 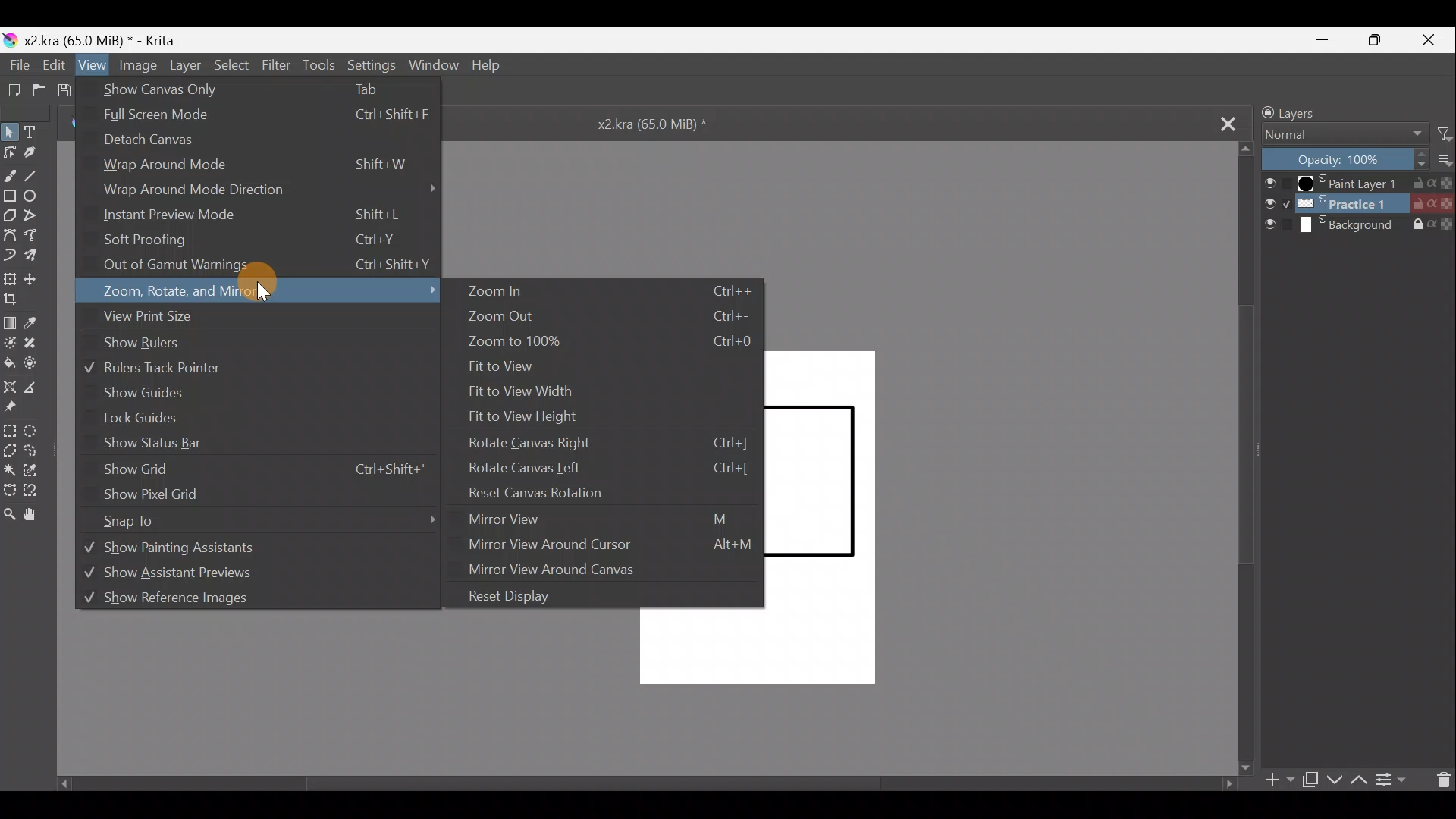 I want to click on Sample a colour, so click(x=39, y=323).